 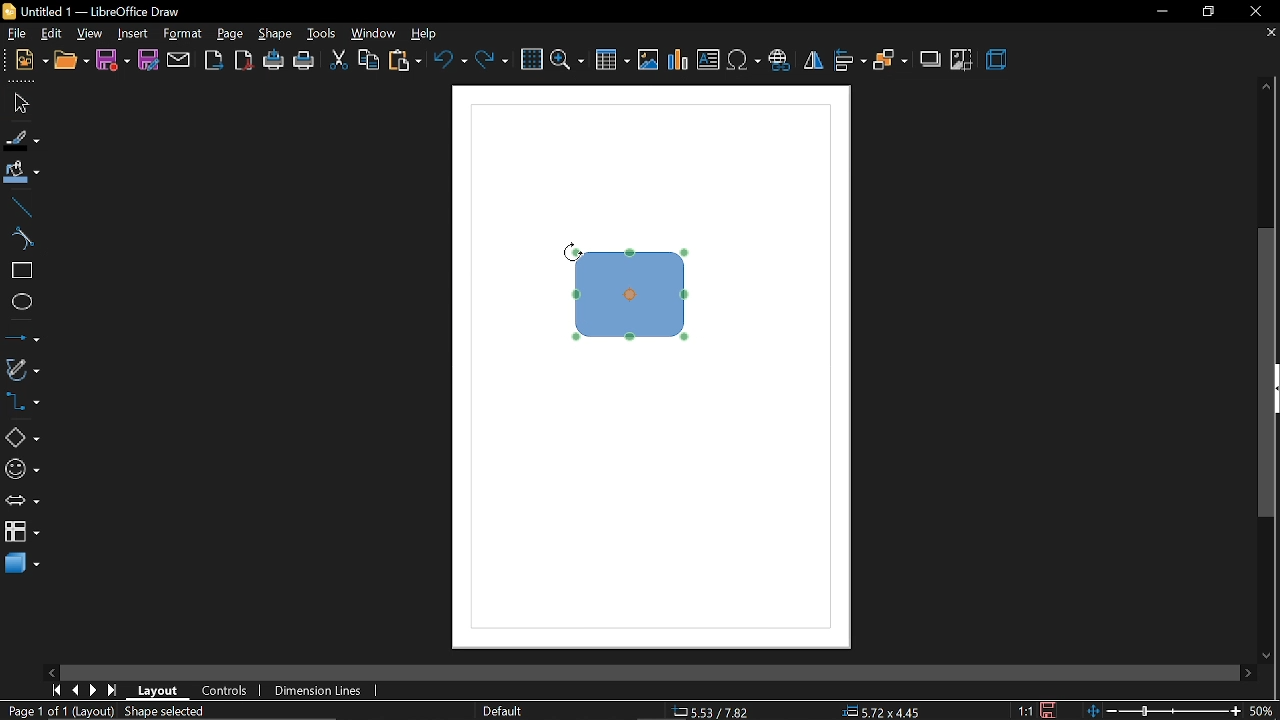 What do you see at coordinates (148, 61) in the screenshot?
I see `save as` at bounding box center [148, 61].